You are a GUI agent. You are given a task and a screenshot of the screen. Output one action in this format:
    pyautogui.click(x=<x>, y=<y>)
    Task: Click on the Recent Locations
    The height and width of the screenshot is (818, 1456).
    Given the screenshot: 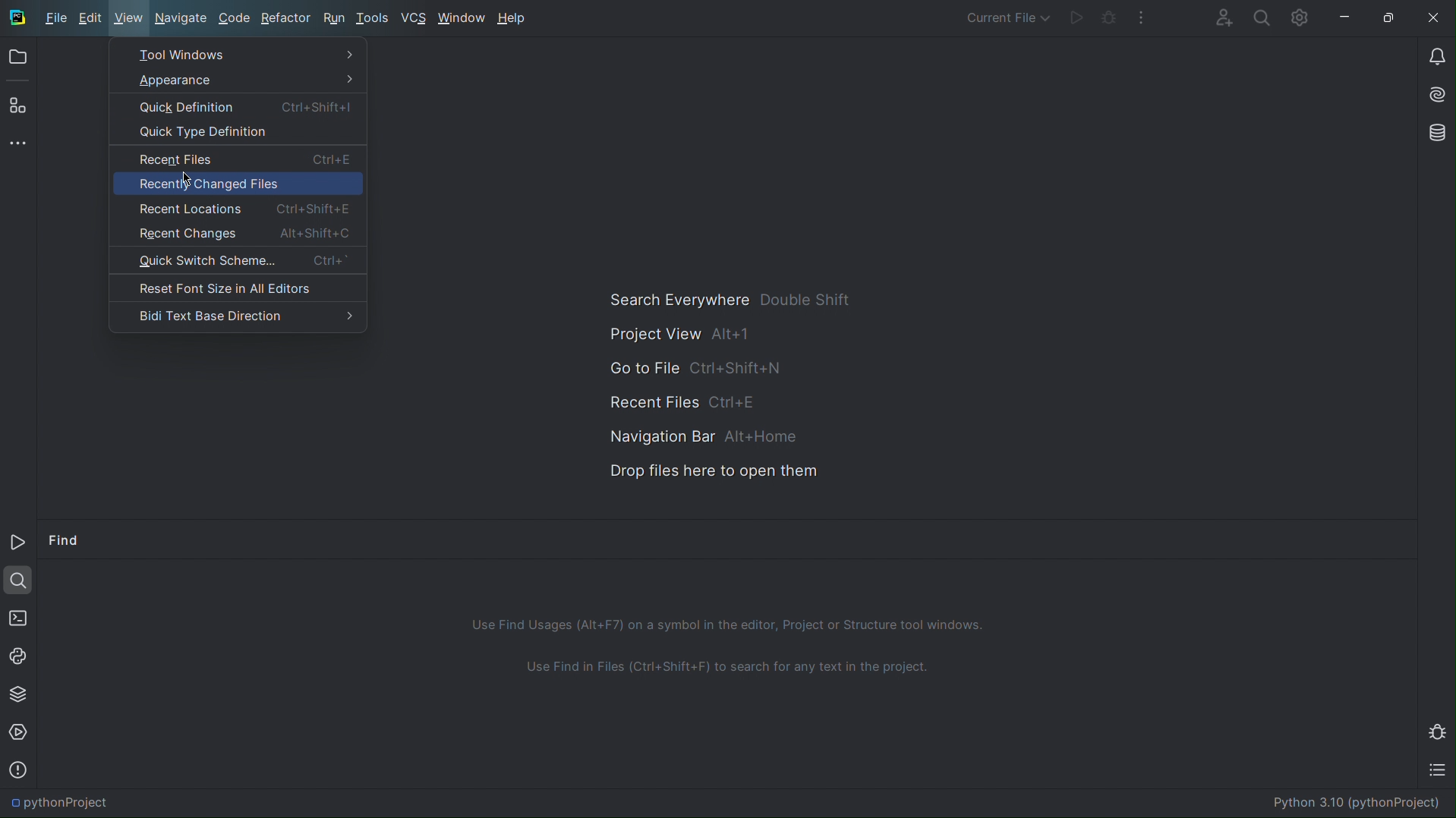 What is the action you would take?
    pyautogui.click(x=235, y=207)
    